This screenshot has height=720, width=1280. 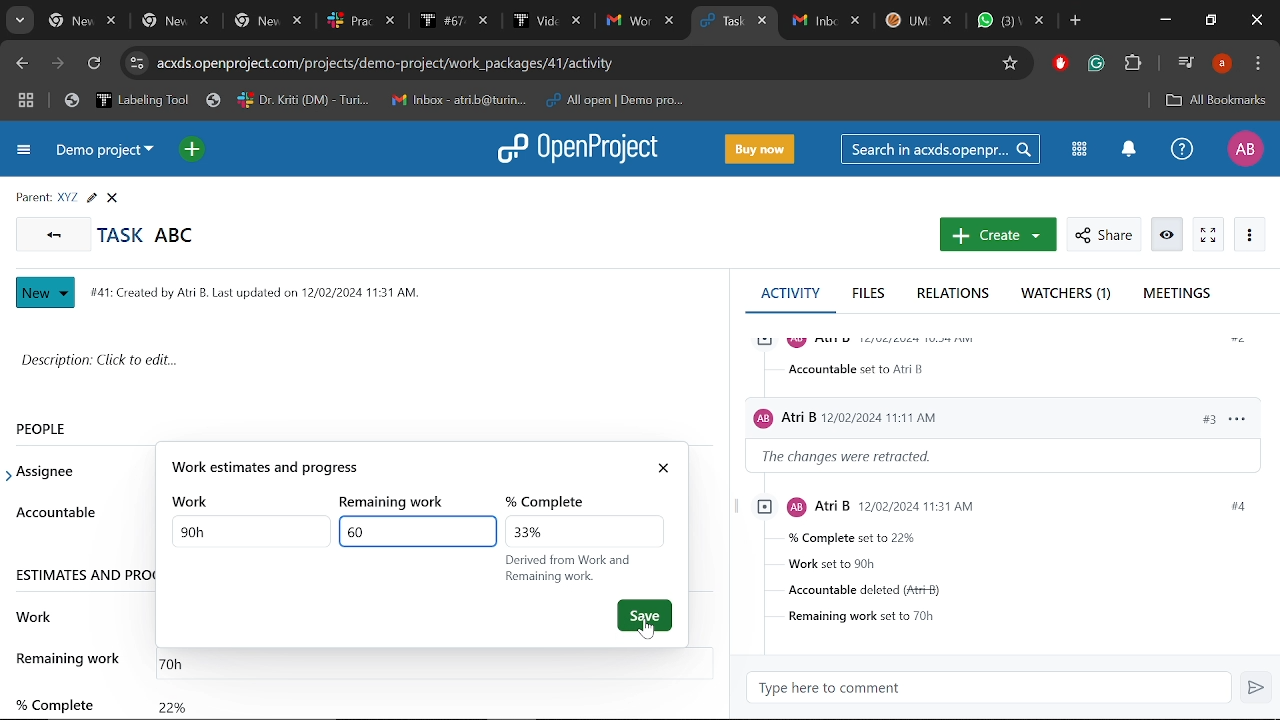 What do you see at coordinates (378, 101) in the screenshot?
I see `Bookmarked tabs` at bounding box center [378, 101].